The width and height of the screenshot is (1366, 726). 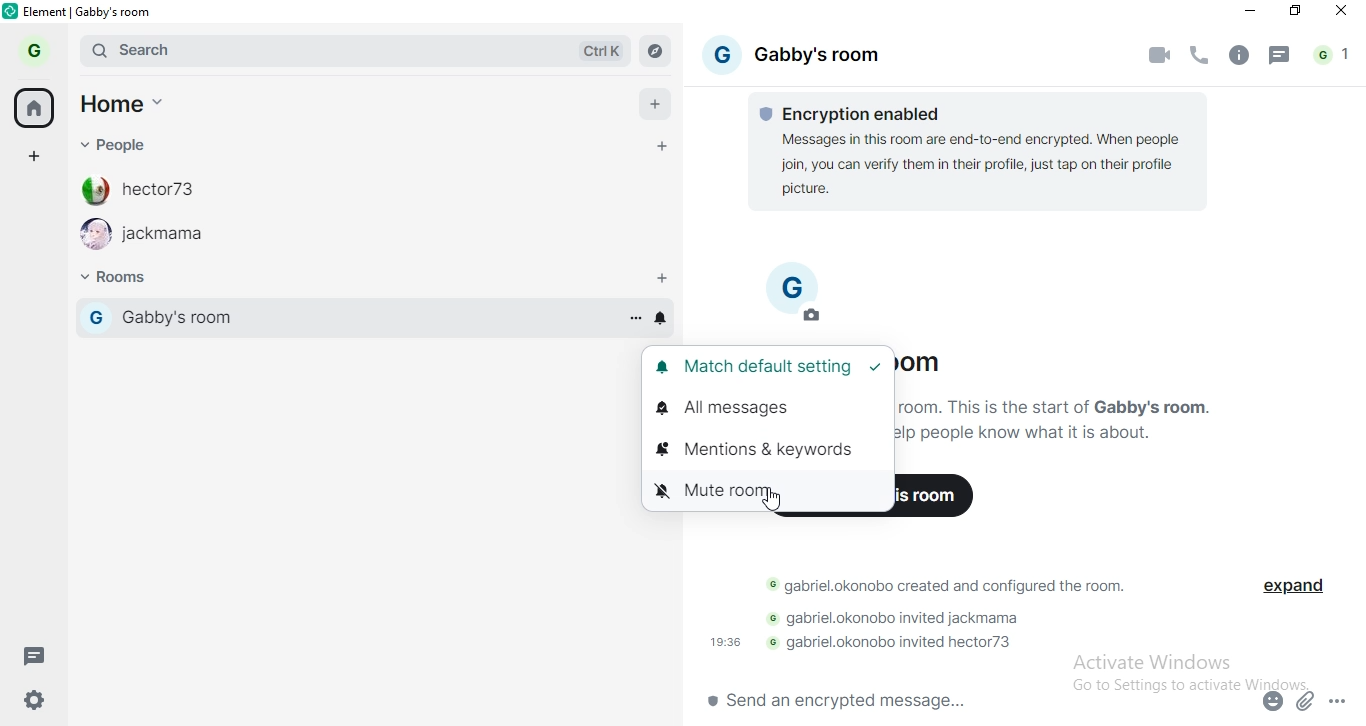 I want to click on search bar, so click(x=256, y=53).